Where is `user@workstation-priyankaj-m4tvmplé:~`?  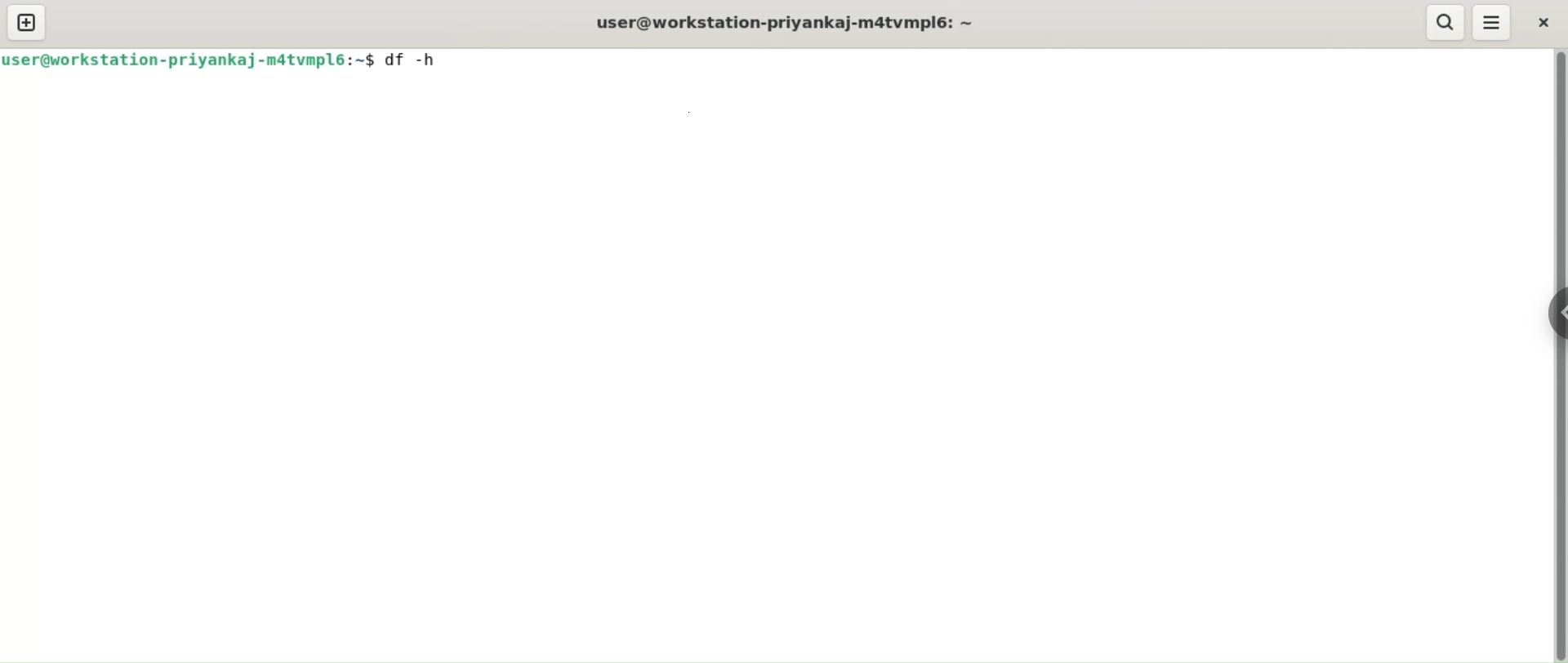
user@workstation-priyankaj-m4tvmplé:~ is located at coordinates (796, 22).